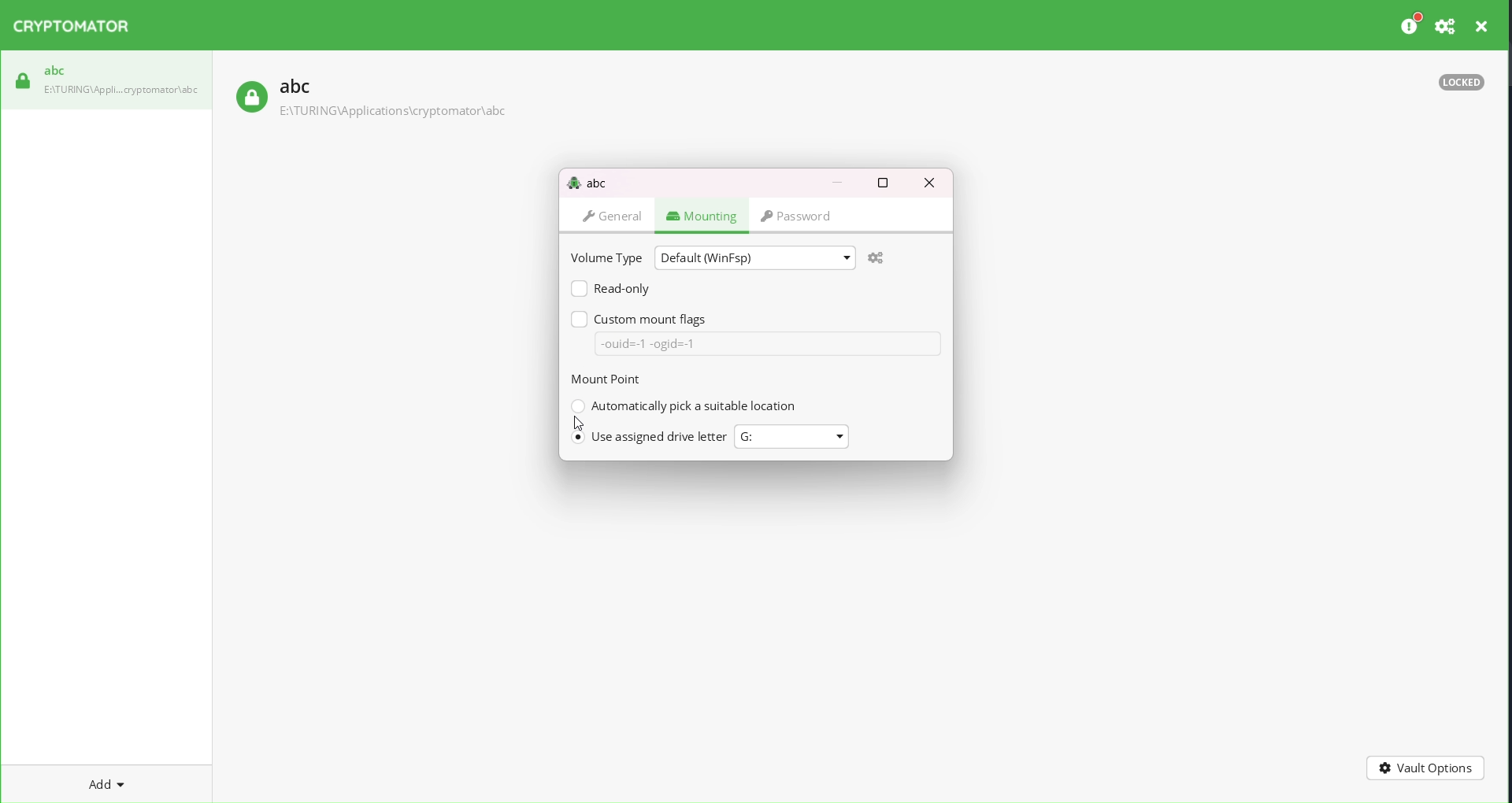 This screenshot has width=1512, height=803. I want to click on abc, so click(295, 86).